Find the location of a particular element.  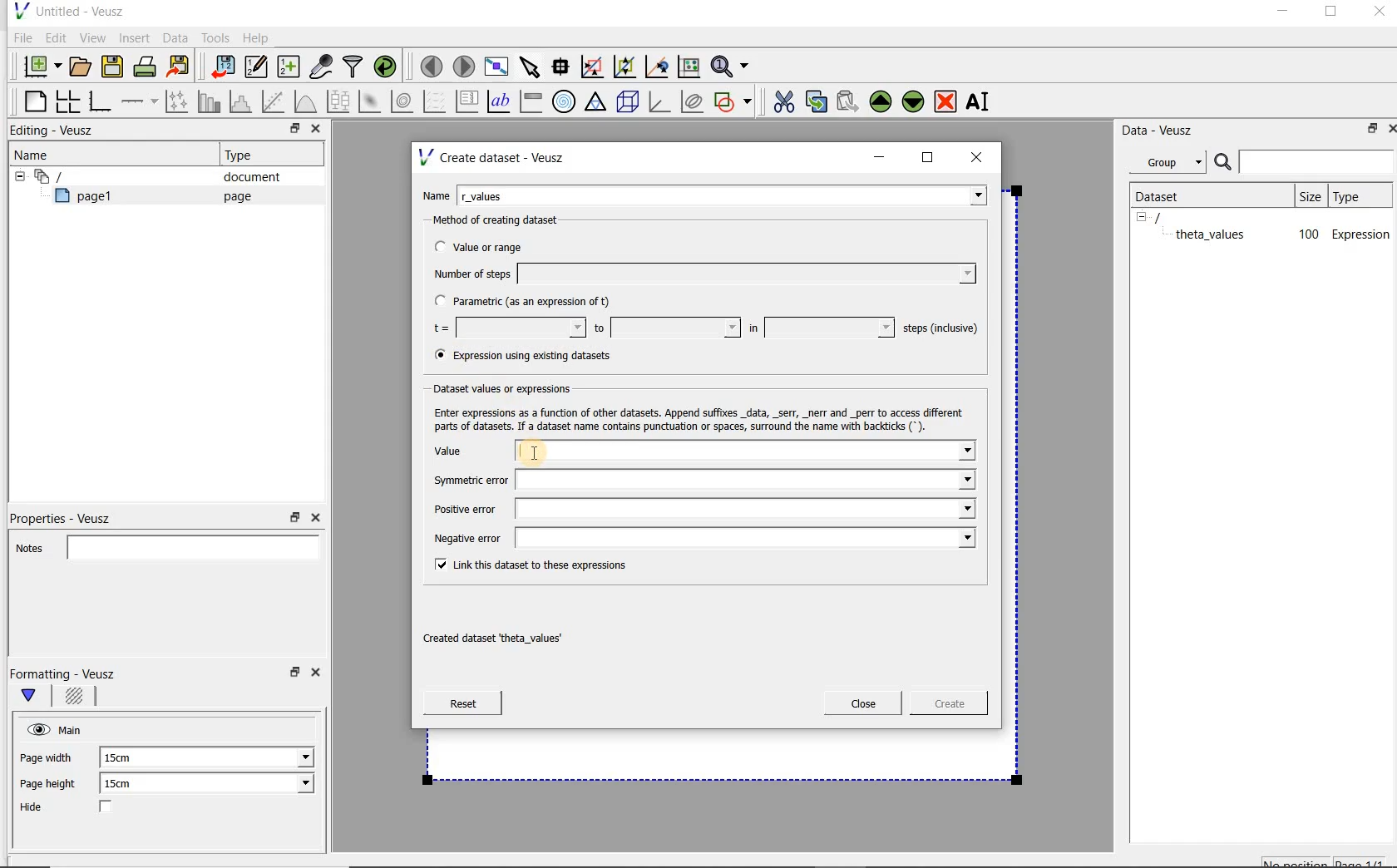

Dataset is located at coordinates (1166, 195).